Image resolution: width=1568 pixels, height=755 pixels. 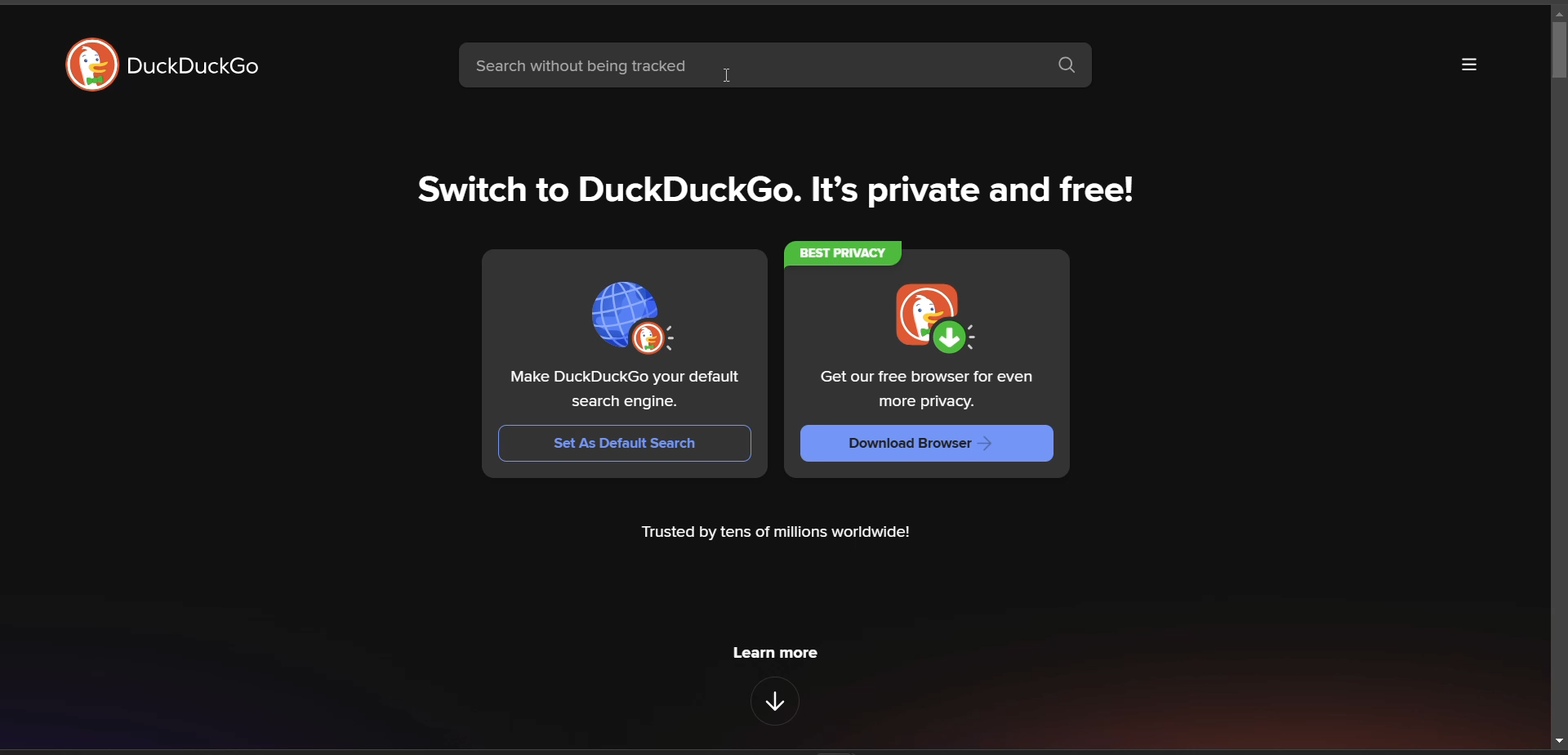 What do you see at coordinates (929, 391) in the screenshot?
I see `Get our free browser for even
more privacy.` at bounding box center [929, 391].